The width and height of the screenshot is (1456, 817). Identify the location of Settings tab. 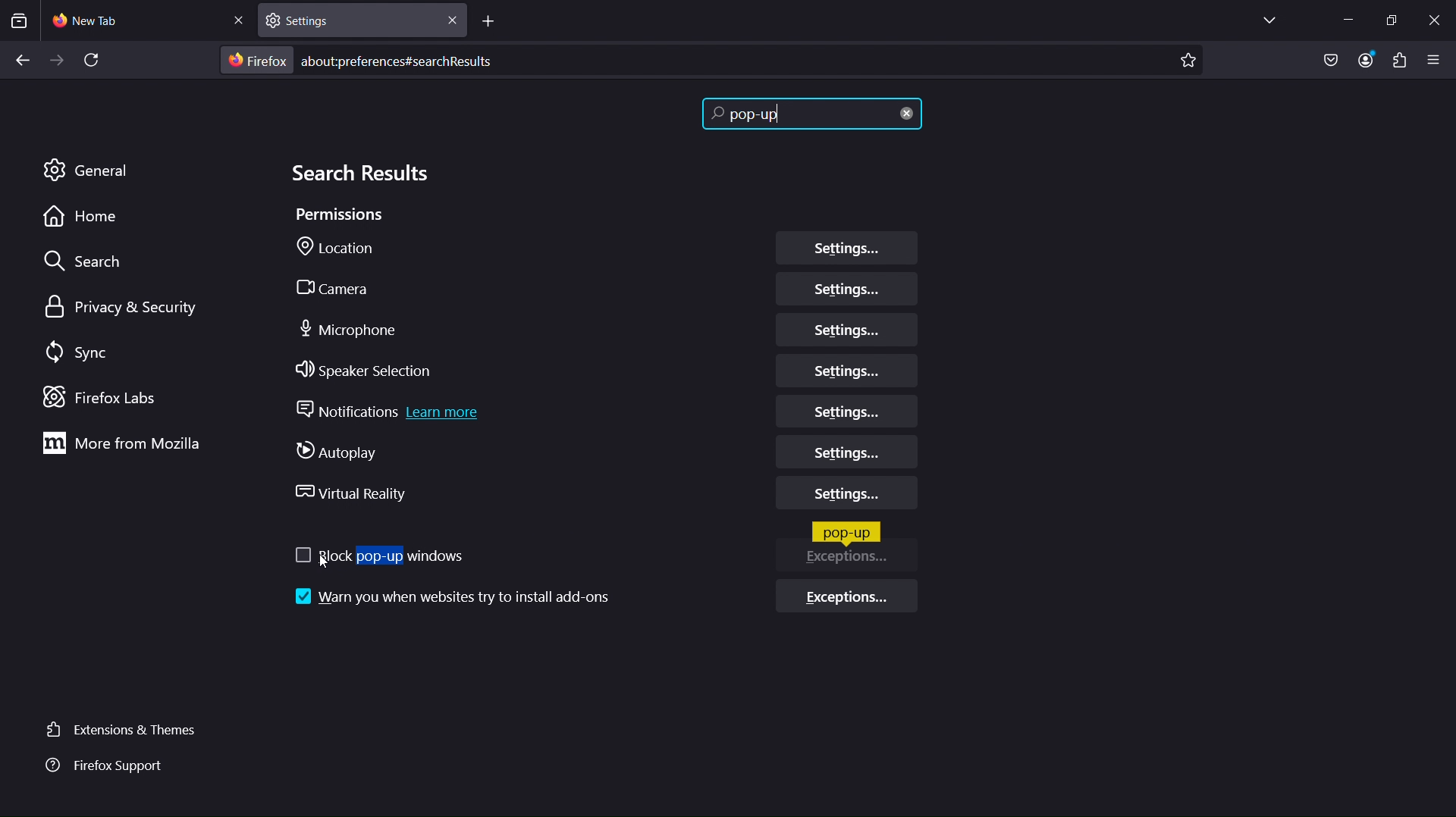
(359, 20).